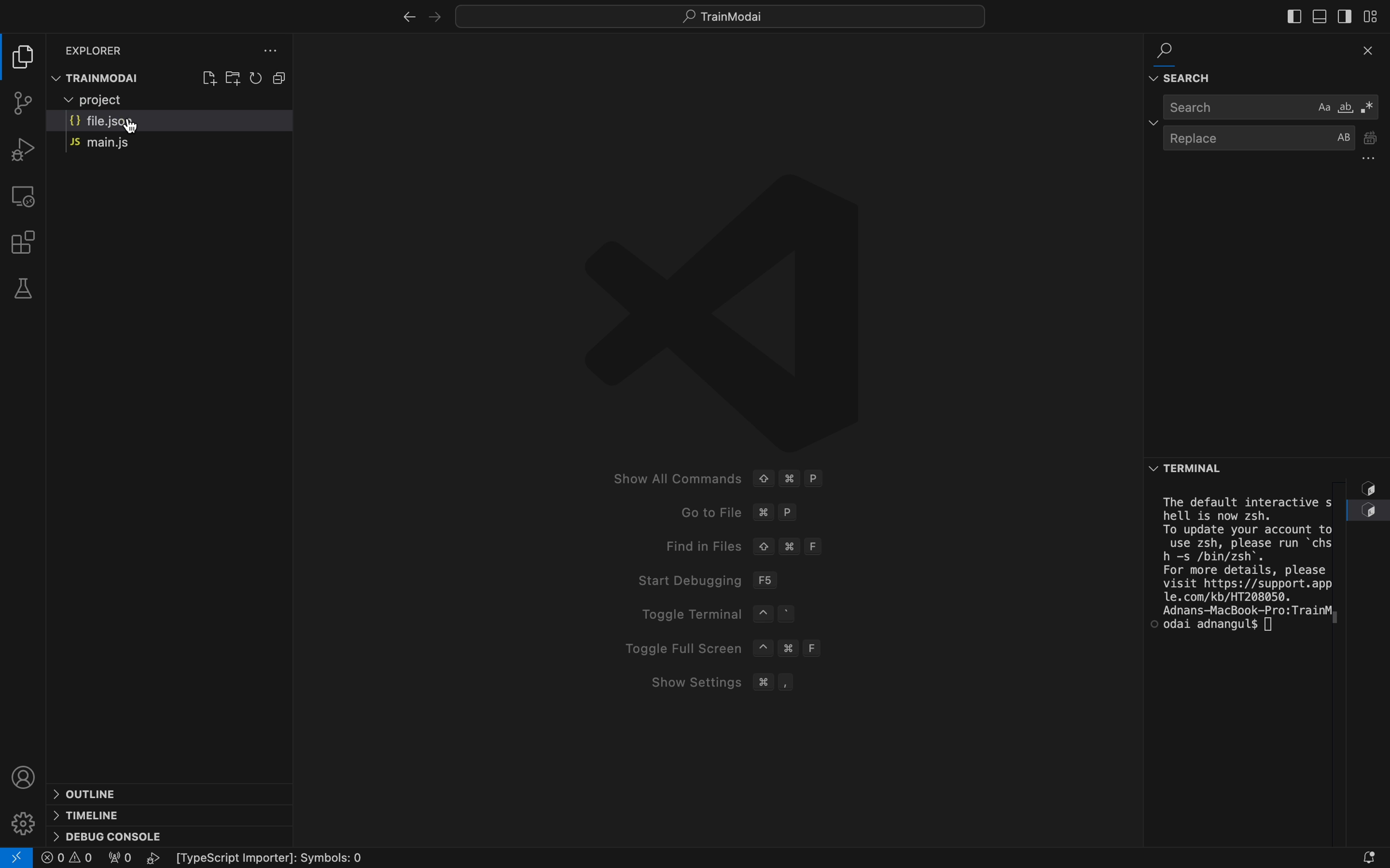 This screenshot has height=868, width=1390. What do you see at coordinates (1374, 15) in the screenshot?
I see `layouts` at bounding box center [1374, 15].